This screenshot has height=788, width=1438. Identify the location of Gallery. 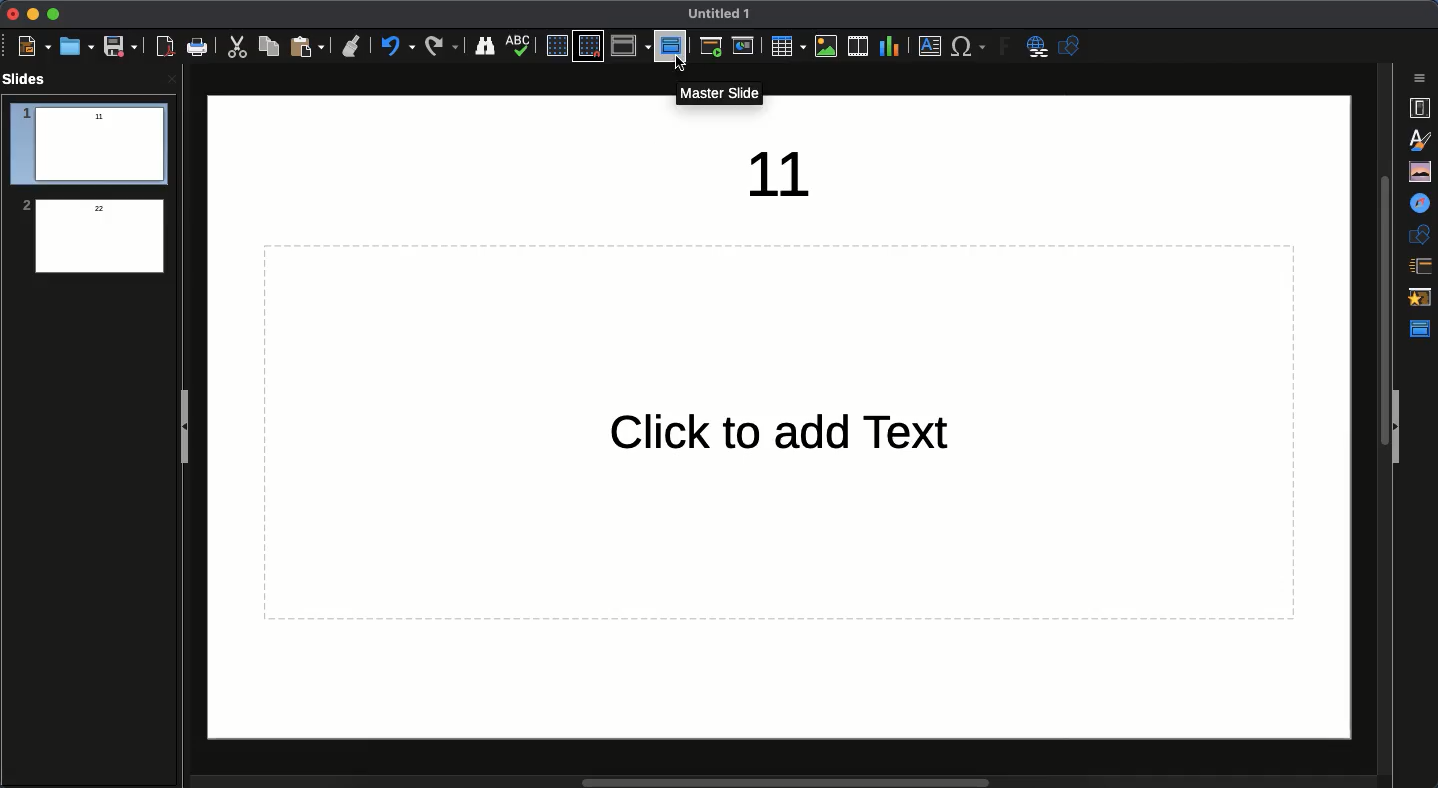
(1422, 171).